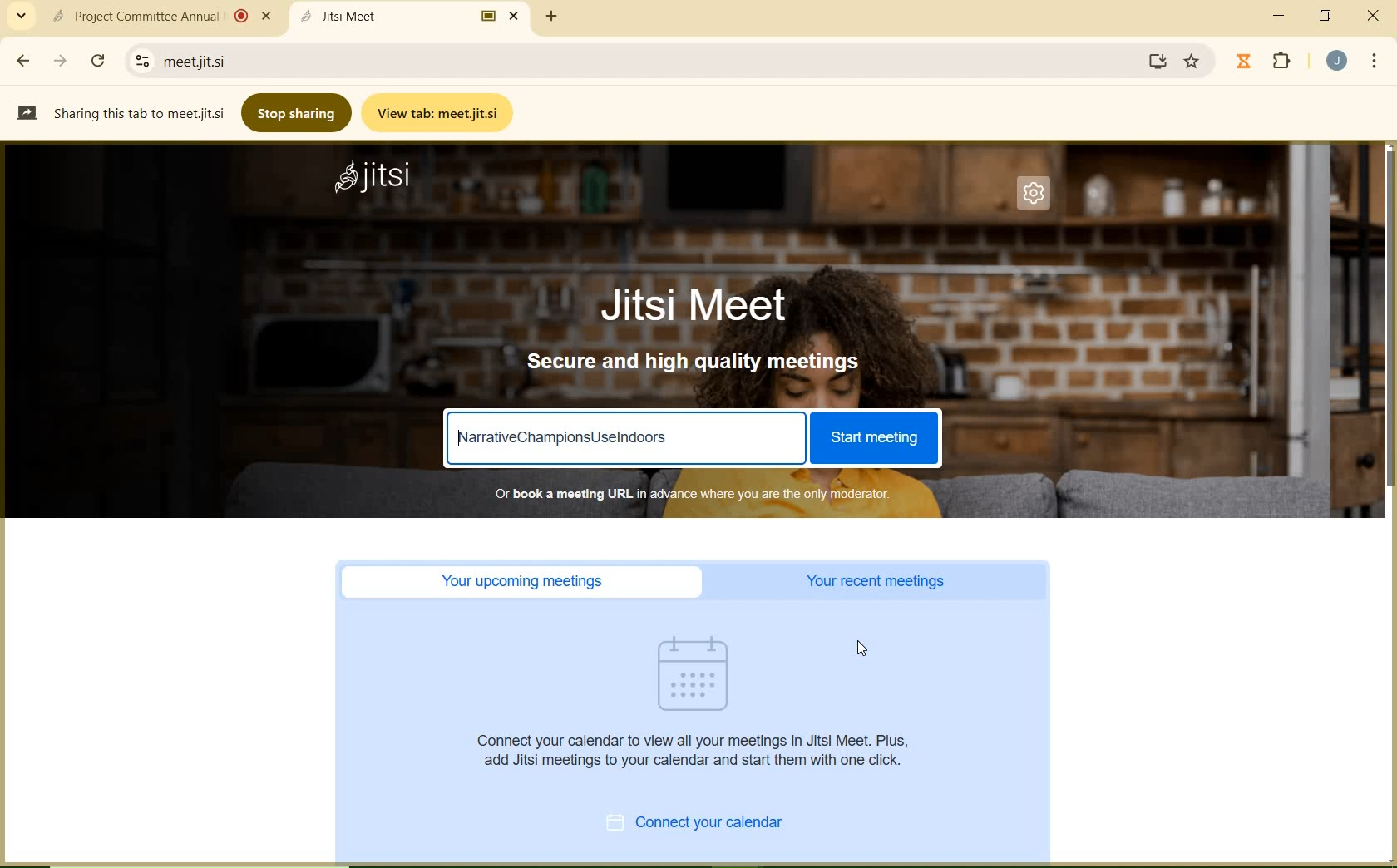 The height and width of the screenshot is (868, 1397). I want to click on new tab, so click(553, 18).